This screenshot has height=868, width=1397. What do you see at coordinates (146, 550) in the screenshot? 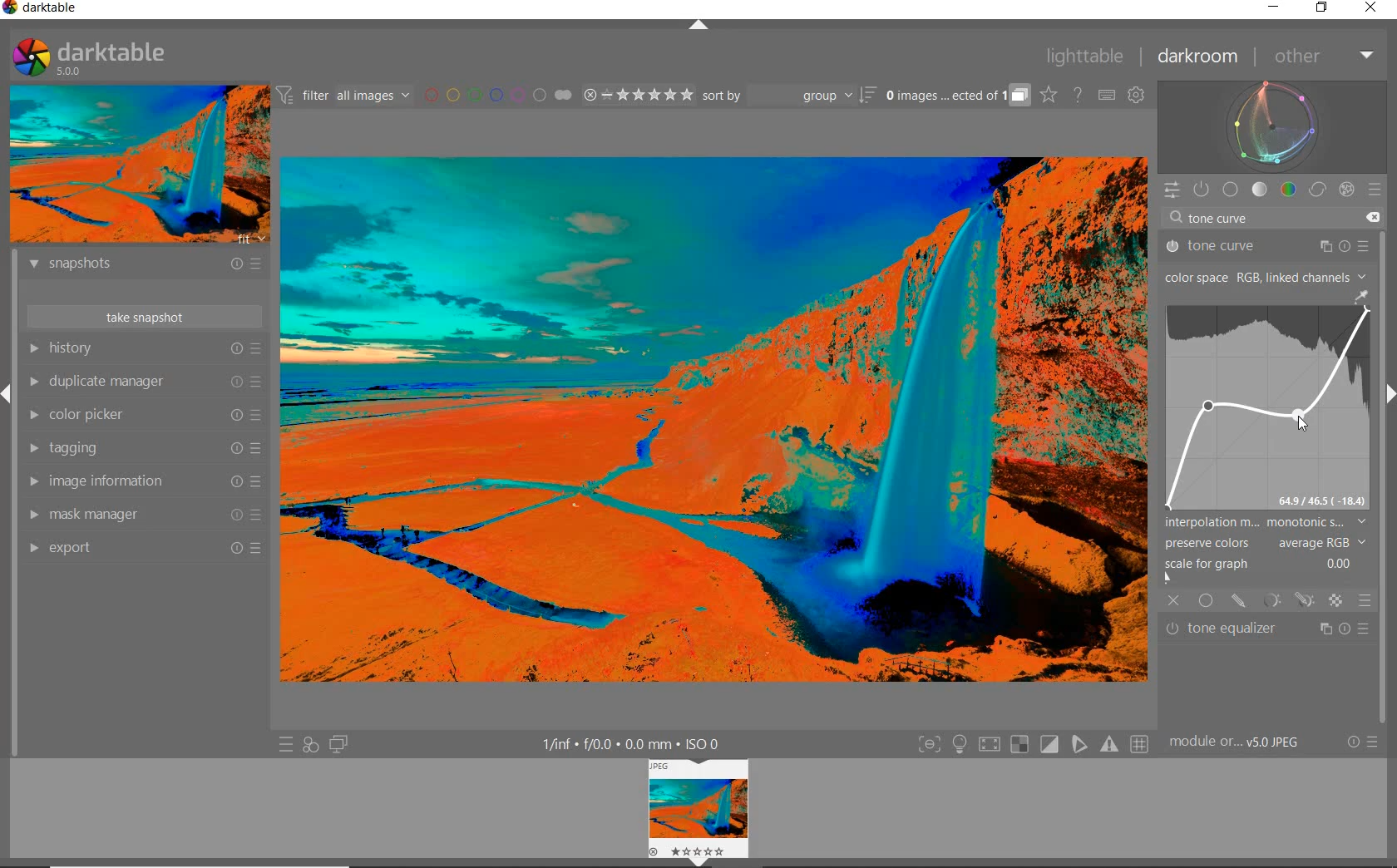
I see `export` at bounding box center [146, 550].